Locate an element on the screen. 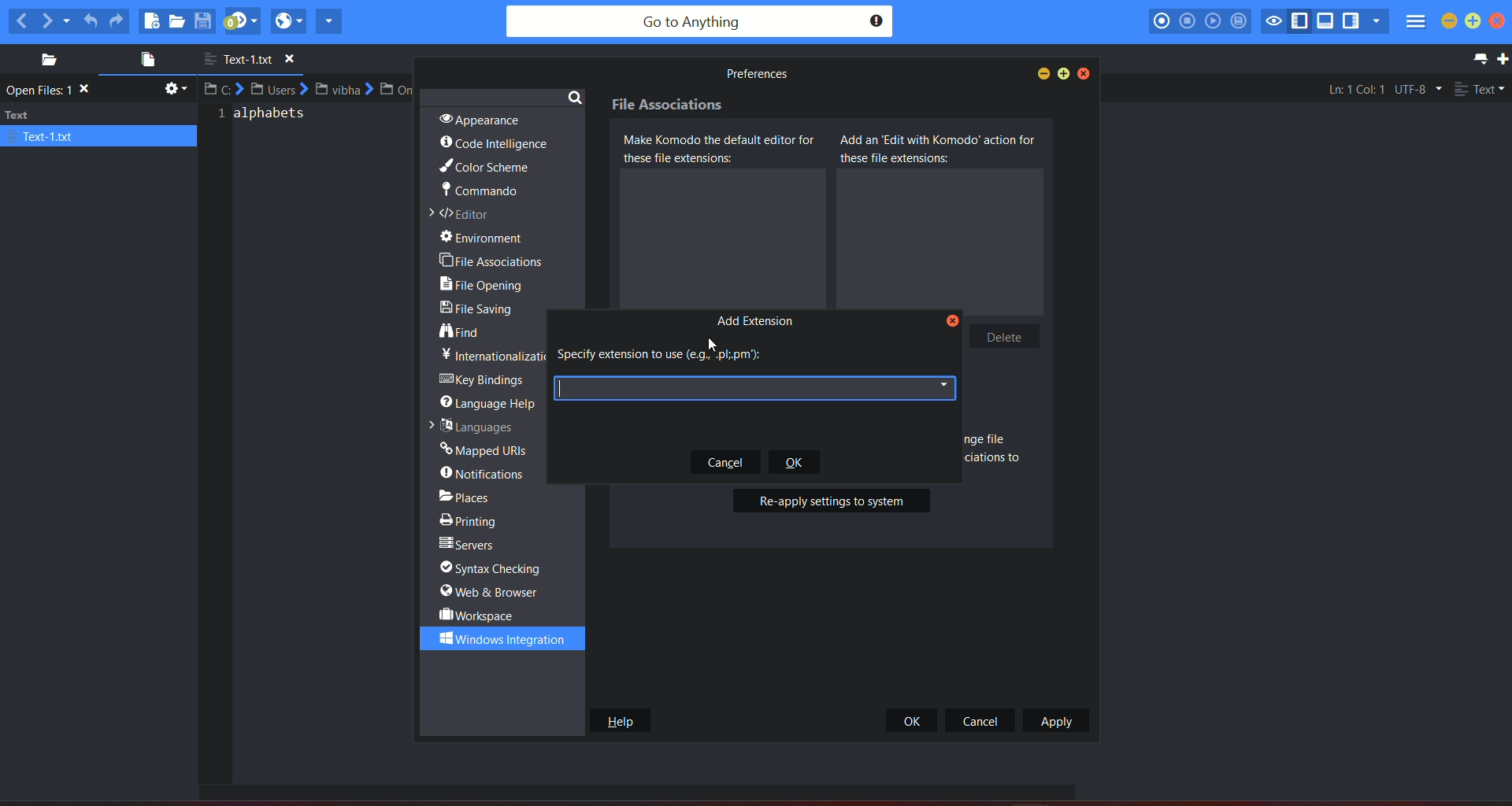  settings is located at coordinates (173, 91).